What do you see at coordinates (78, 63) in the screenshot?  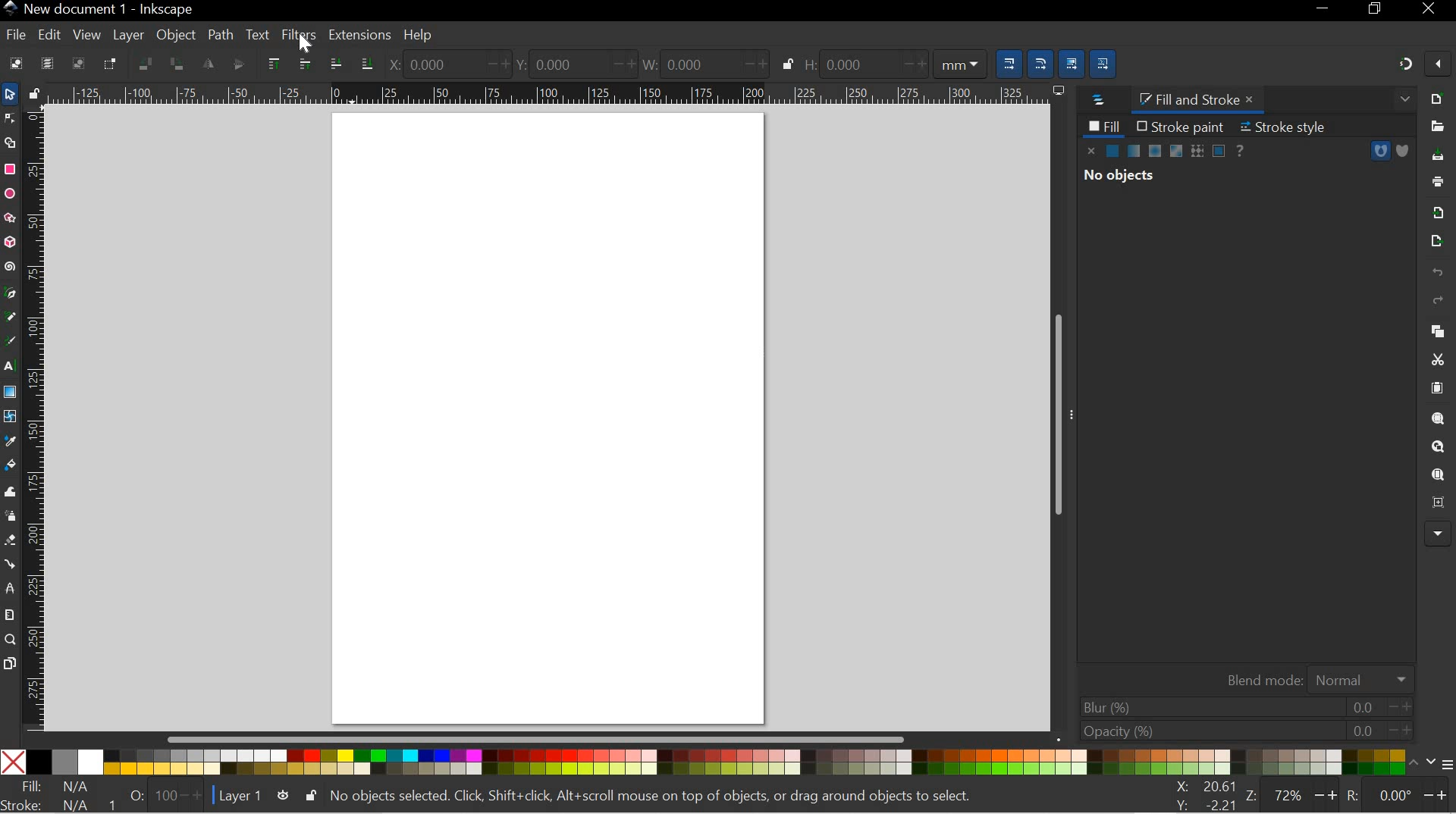 I see `DESELECT ANY SELECTED OBJECTS` at bounding box center [78, 63].